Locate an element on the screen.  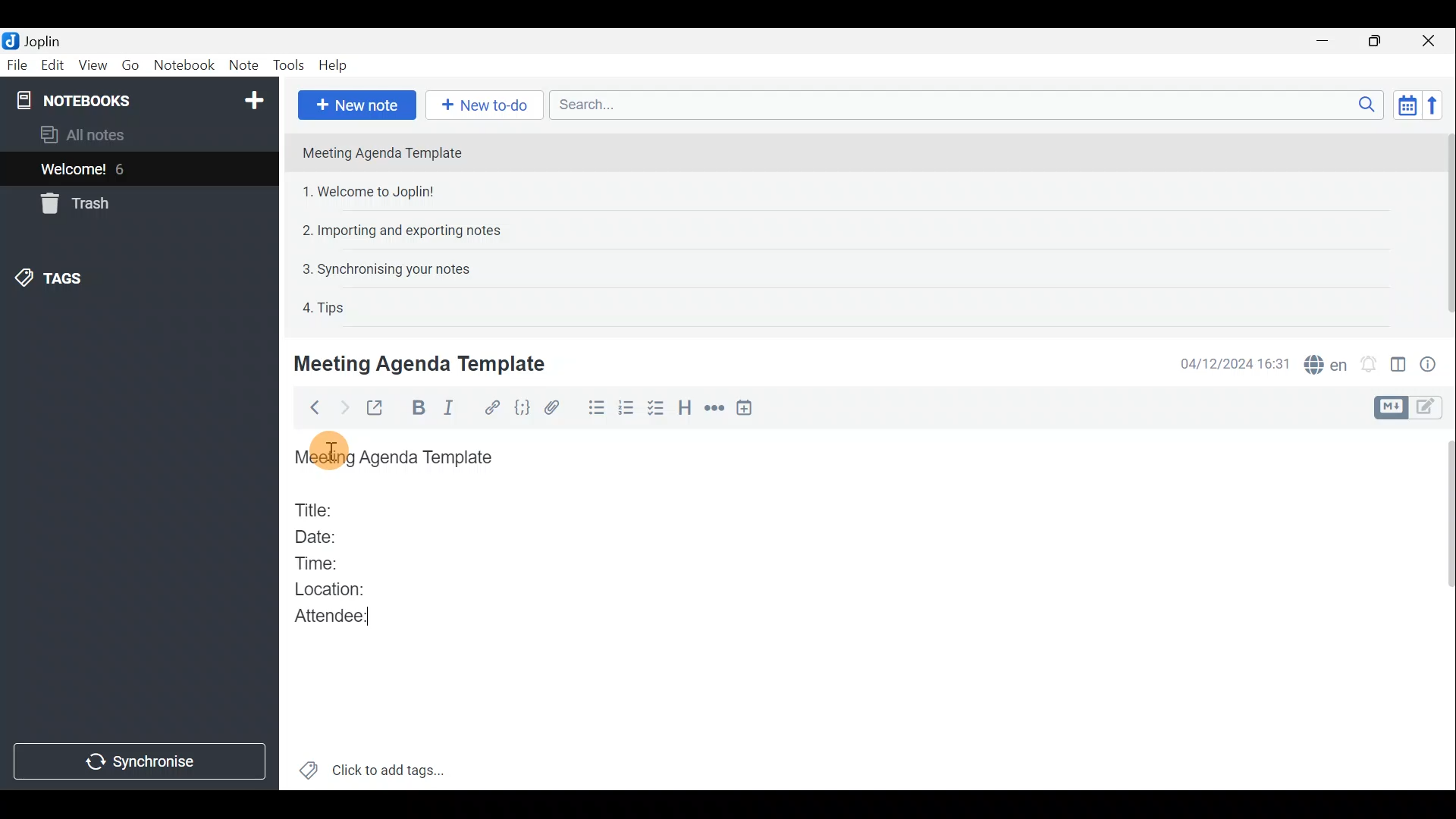
Checkbox is located at coordinates (653, 409).